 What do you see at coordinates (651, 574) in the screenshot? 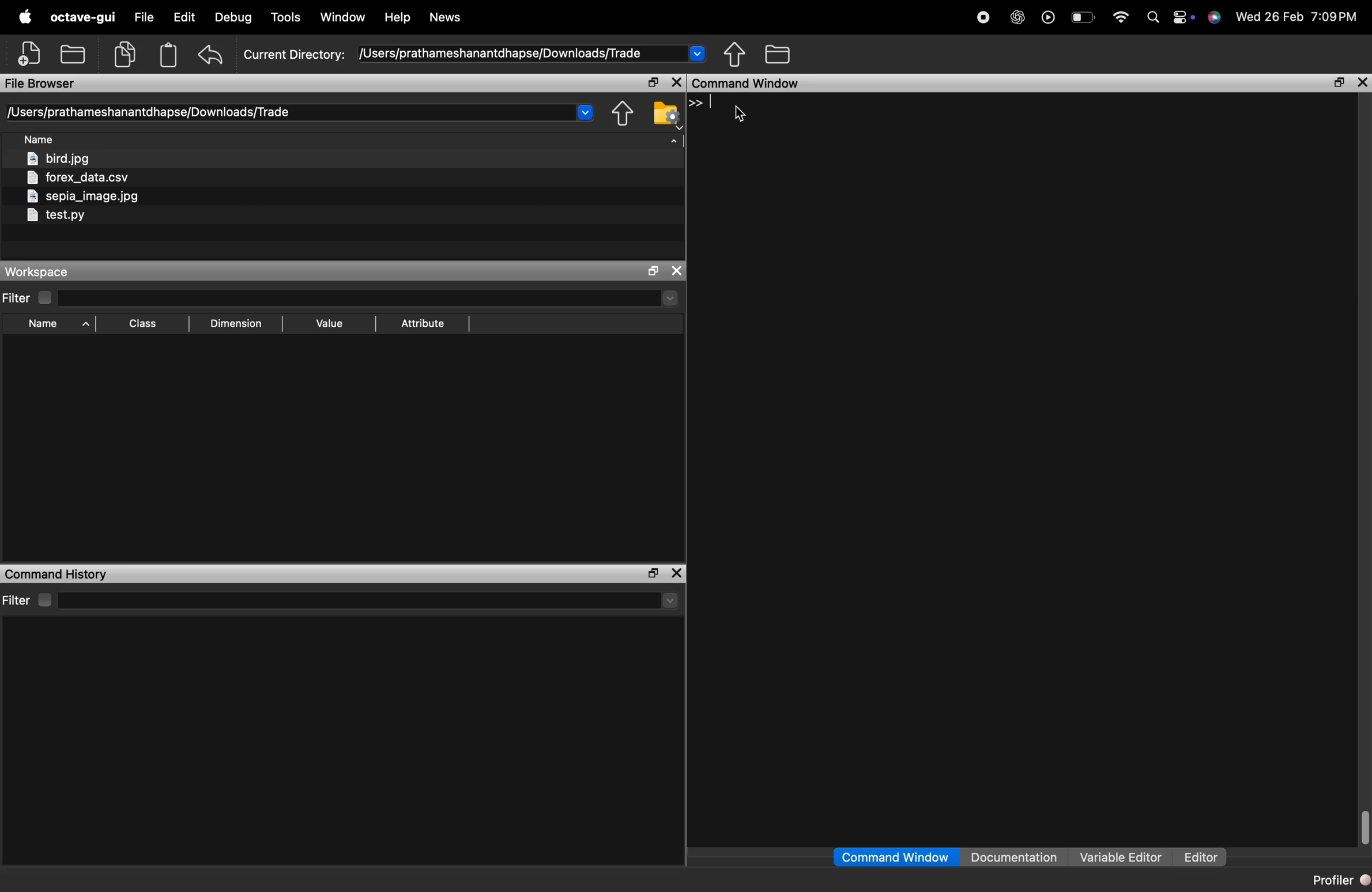
I see `maximize` at bounding box center [651, 574].